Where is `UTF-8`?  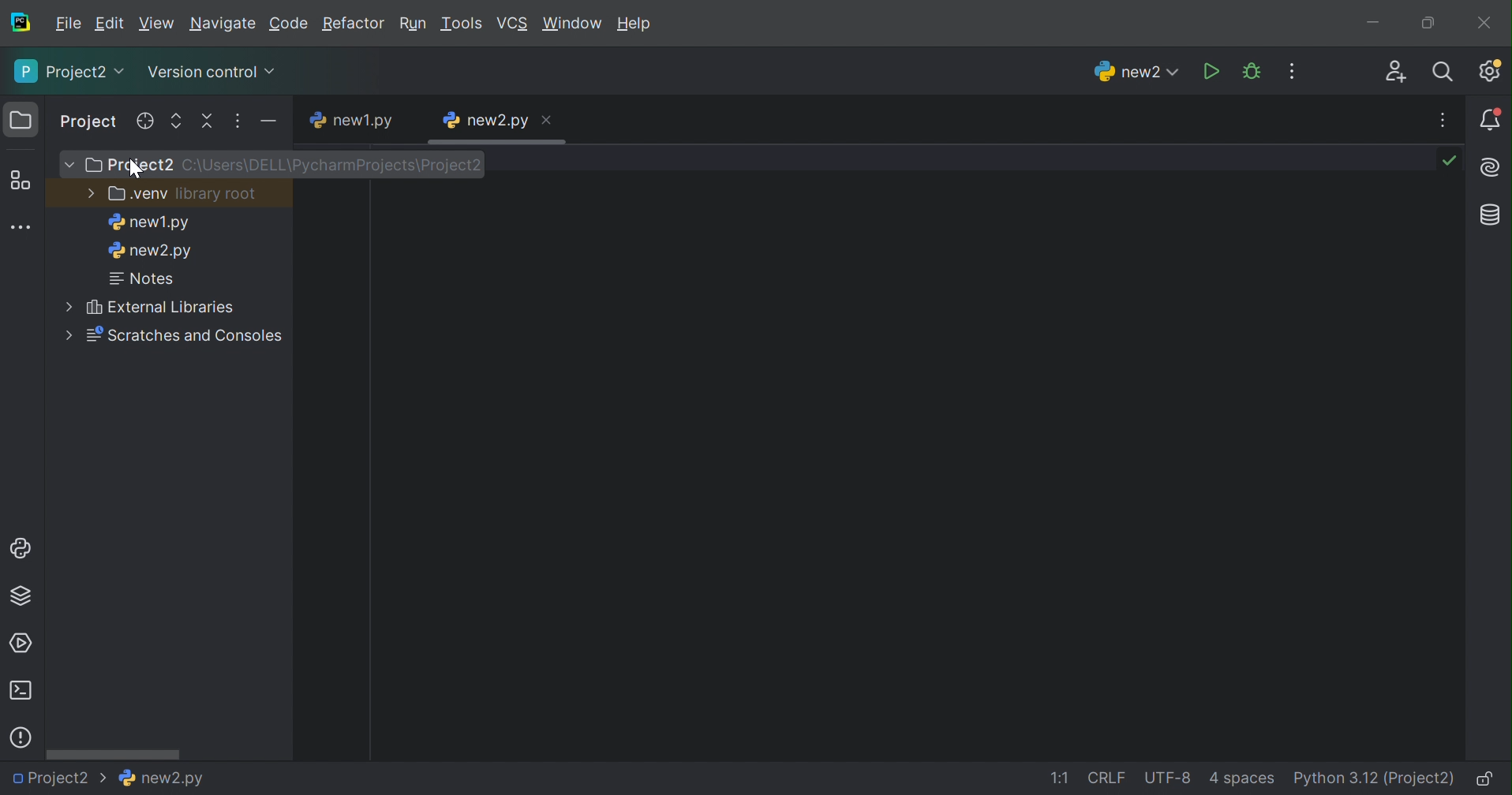 UTF-8 is located at coordinates (1167, 779).